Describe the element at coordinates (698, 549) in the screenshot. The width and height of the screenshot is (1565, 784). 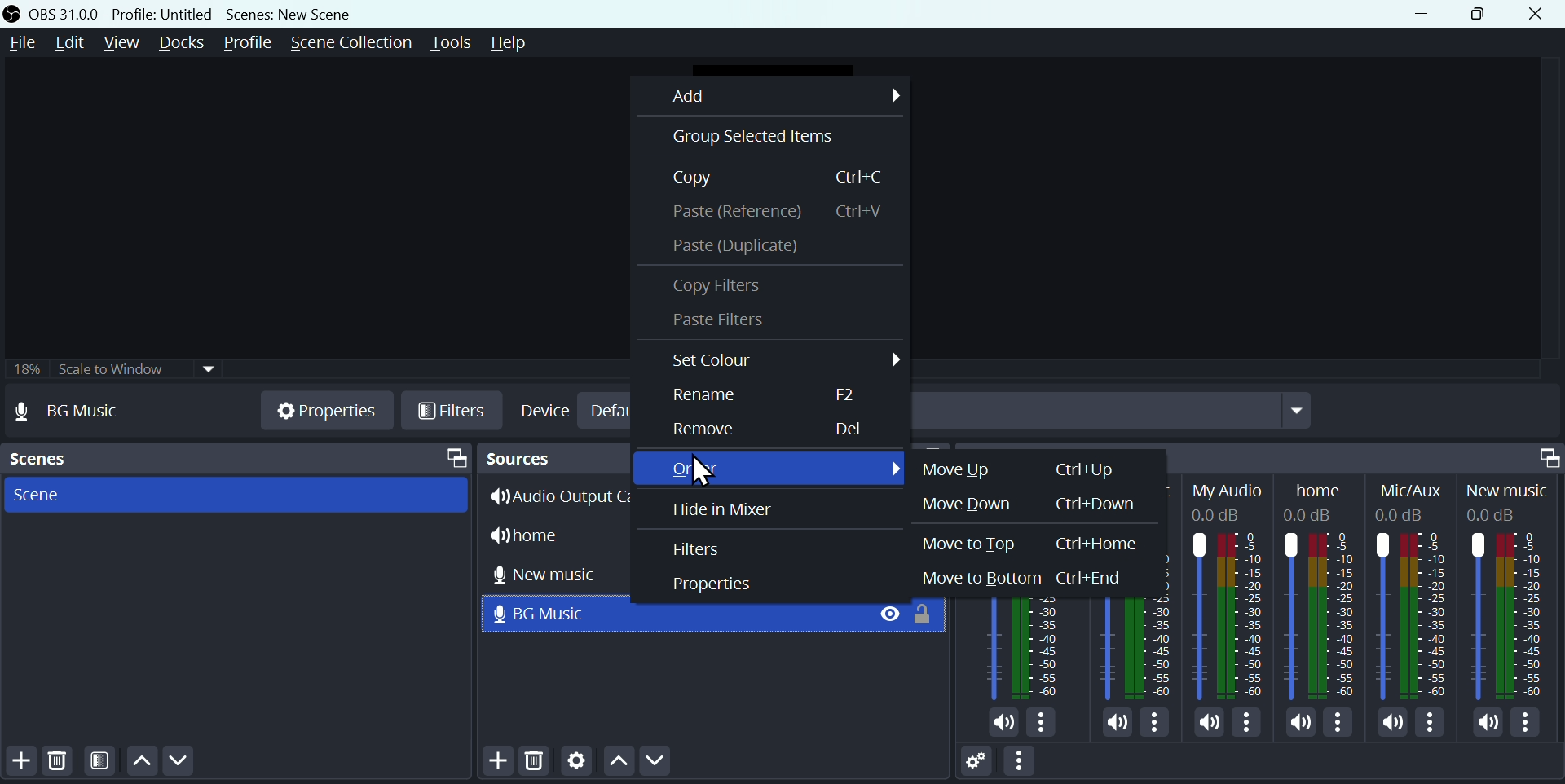
I see `Filter` at that location.